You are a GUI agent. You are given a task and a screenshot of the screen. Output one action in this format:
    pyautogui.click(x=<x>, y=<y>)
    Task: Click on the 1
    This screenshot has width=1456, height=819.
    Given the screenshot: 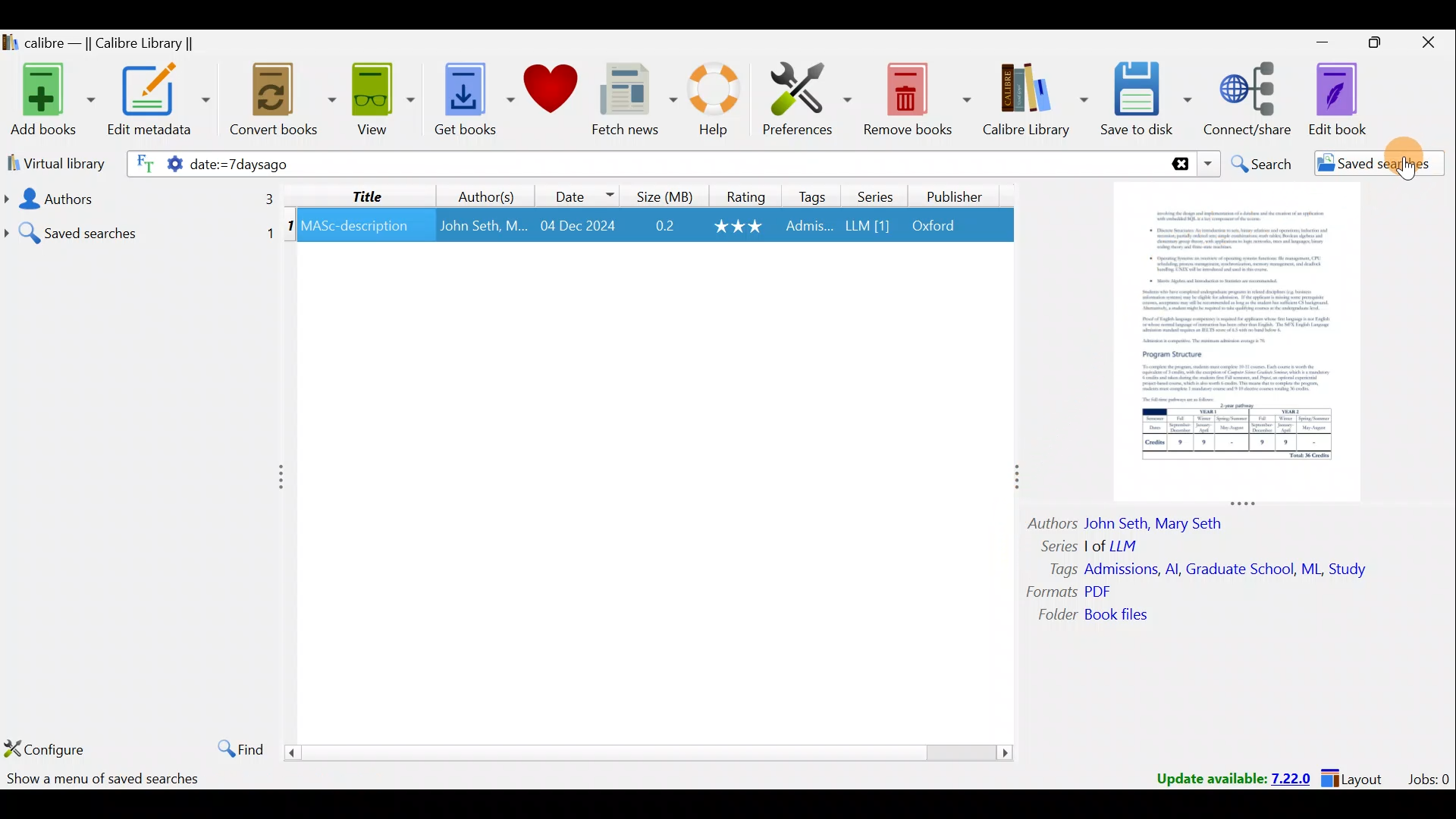 What is the action you would take?
    pyautogui.click(x=290, y=228)
    